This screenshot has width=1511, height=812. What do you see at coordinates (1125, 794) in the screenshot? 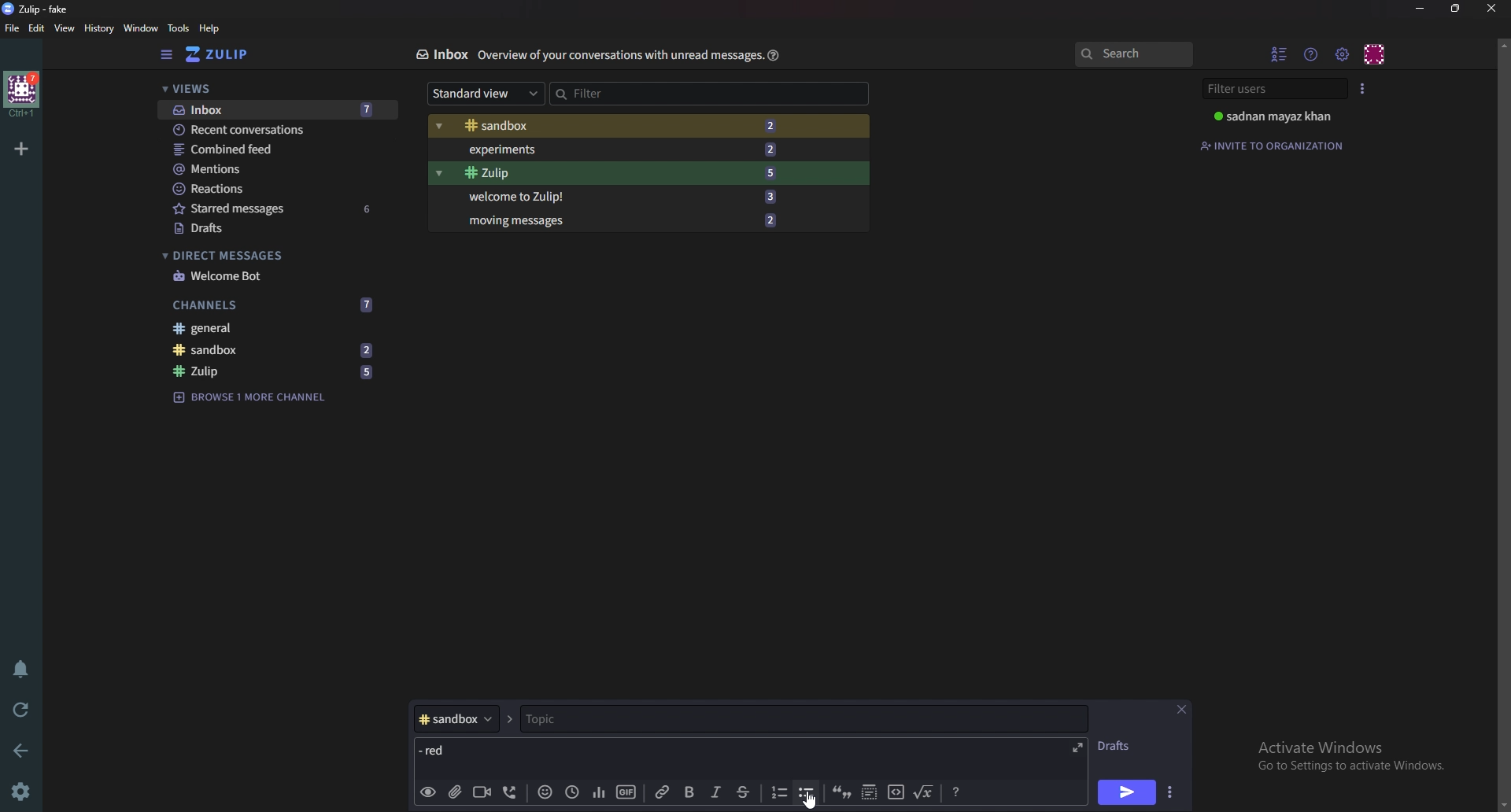
I see `send` at bounding box center [1125, 794].